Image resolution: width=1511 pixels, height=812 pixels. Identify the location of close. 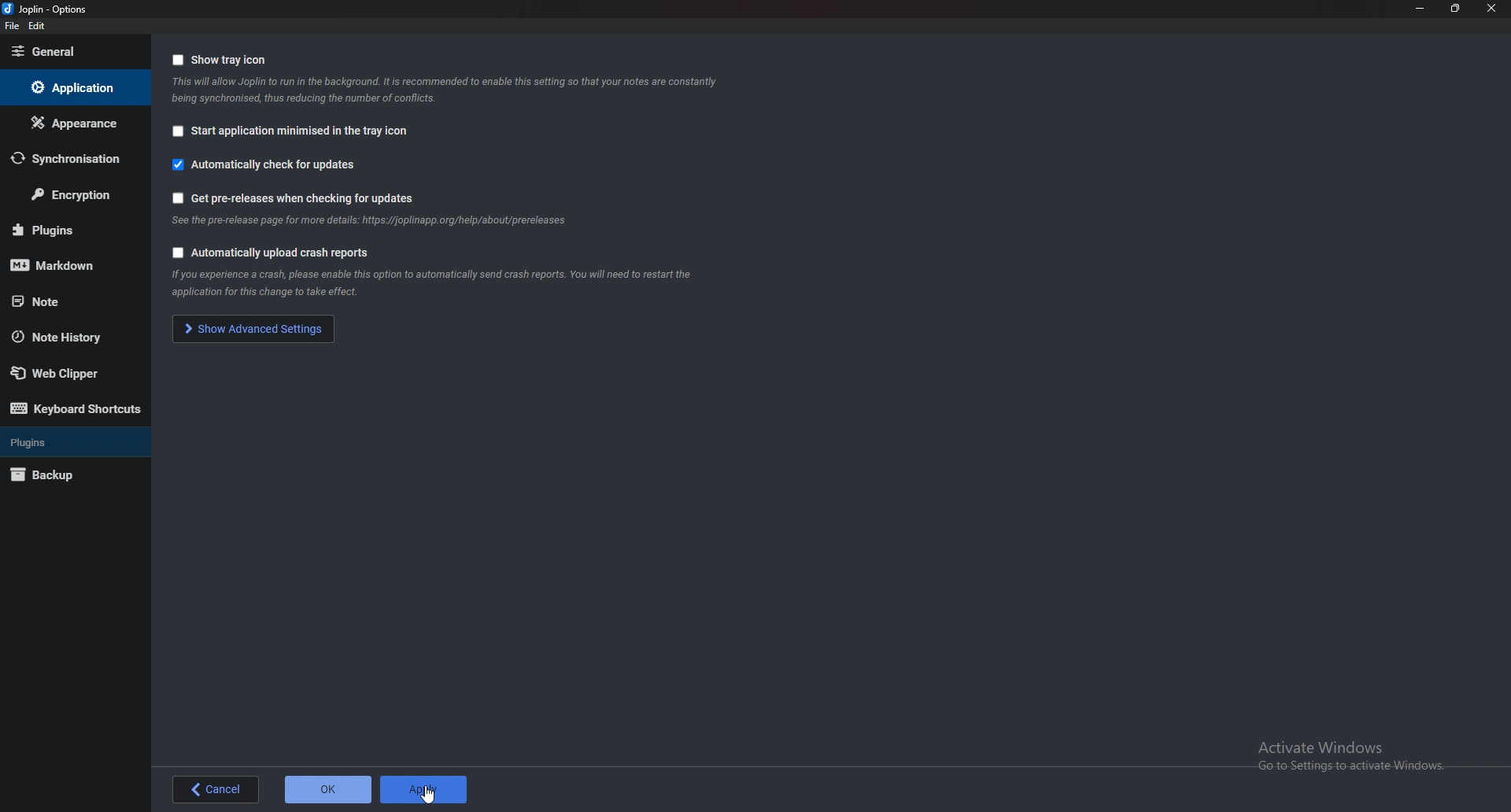
(1491, 8).